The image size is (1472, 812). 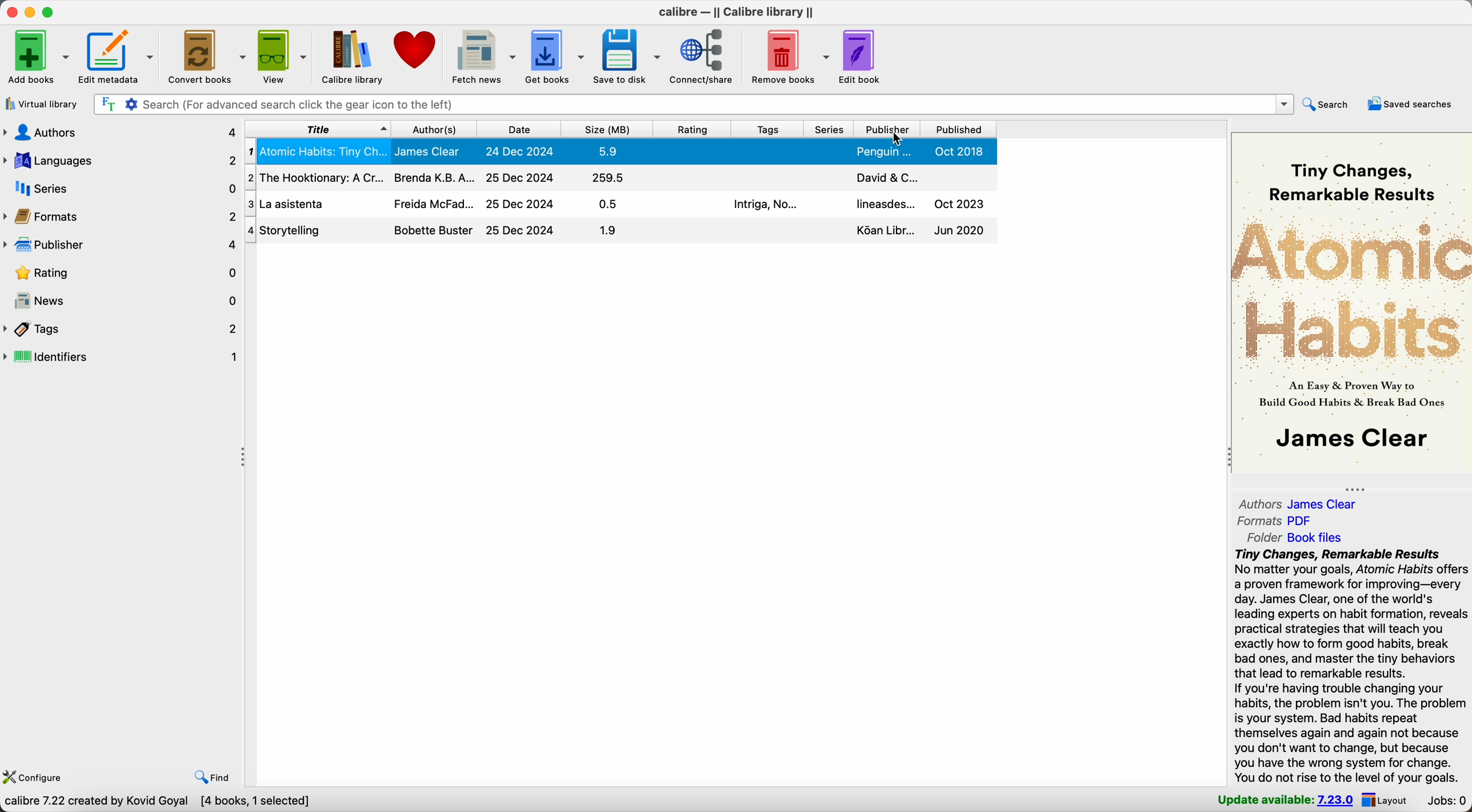 What do you see at coordinates (959, 231) in the screenshot?
I see `Jun 2020` at bounding box center [959, 231].